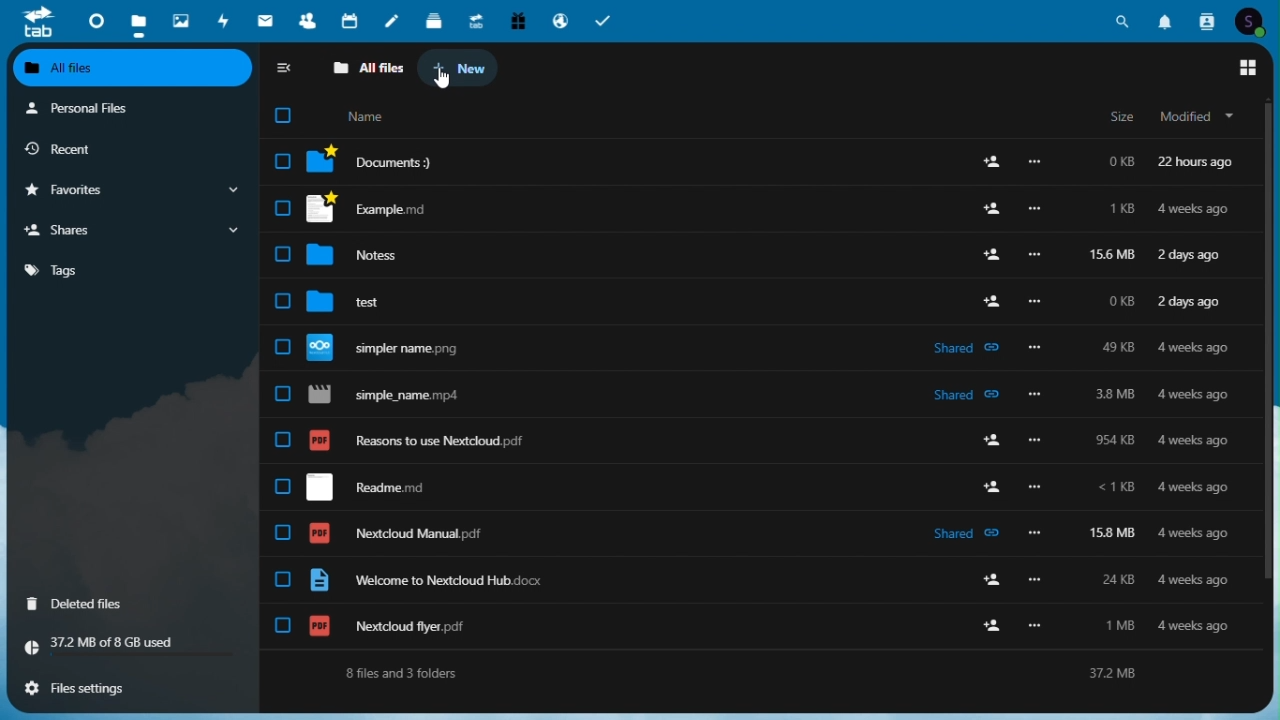 Image resolution: width=1280 pixels, height=720 pixels. What do you see at coordinates (968, 350) in the screenshot?
I see `shared` at bounding box center [968, 350].